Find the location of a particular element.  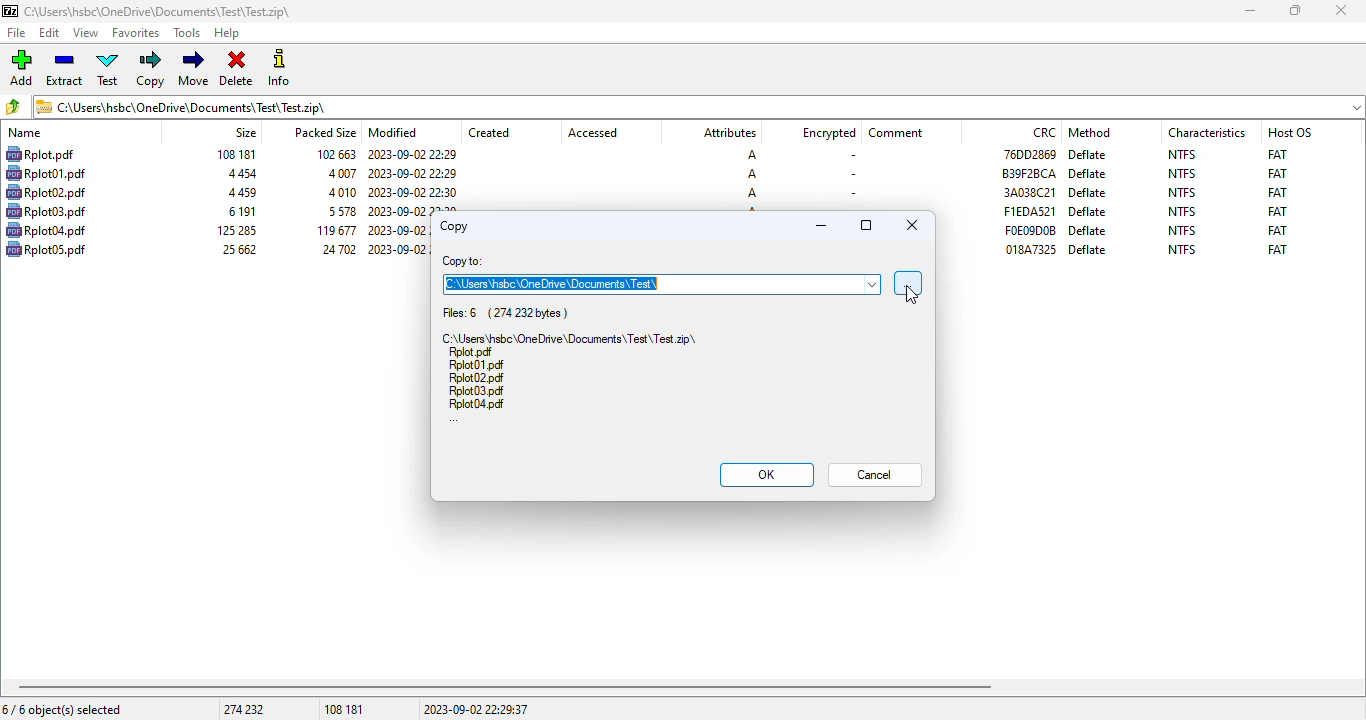

extract is located at coordinates (65, 69).